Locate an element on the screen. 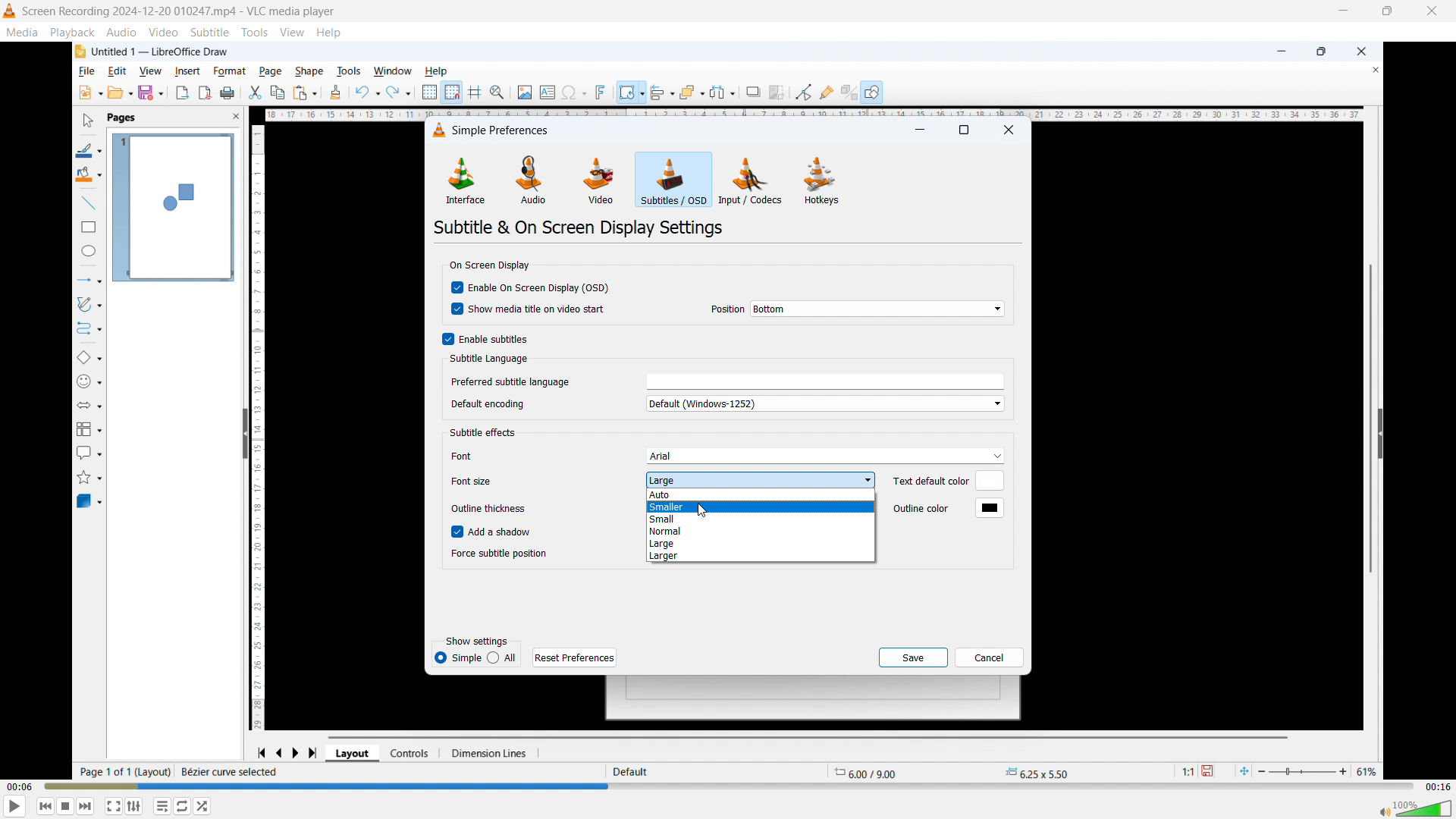  Logo  is located at coordinates (10, 11).